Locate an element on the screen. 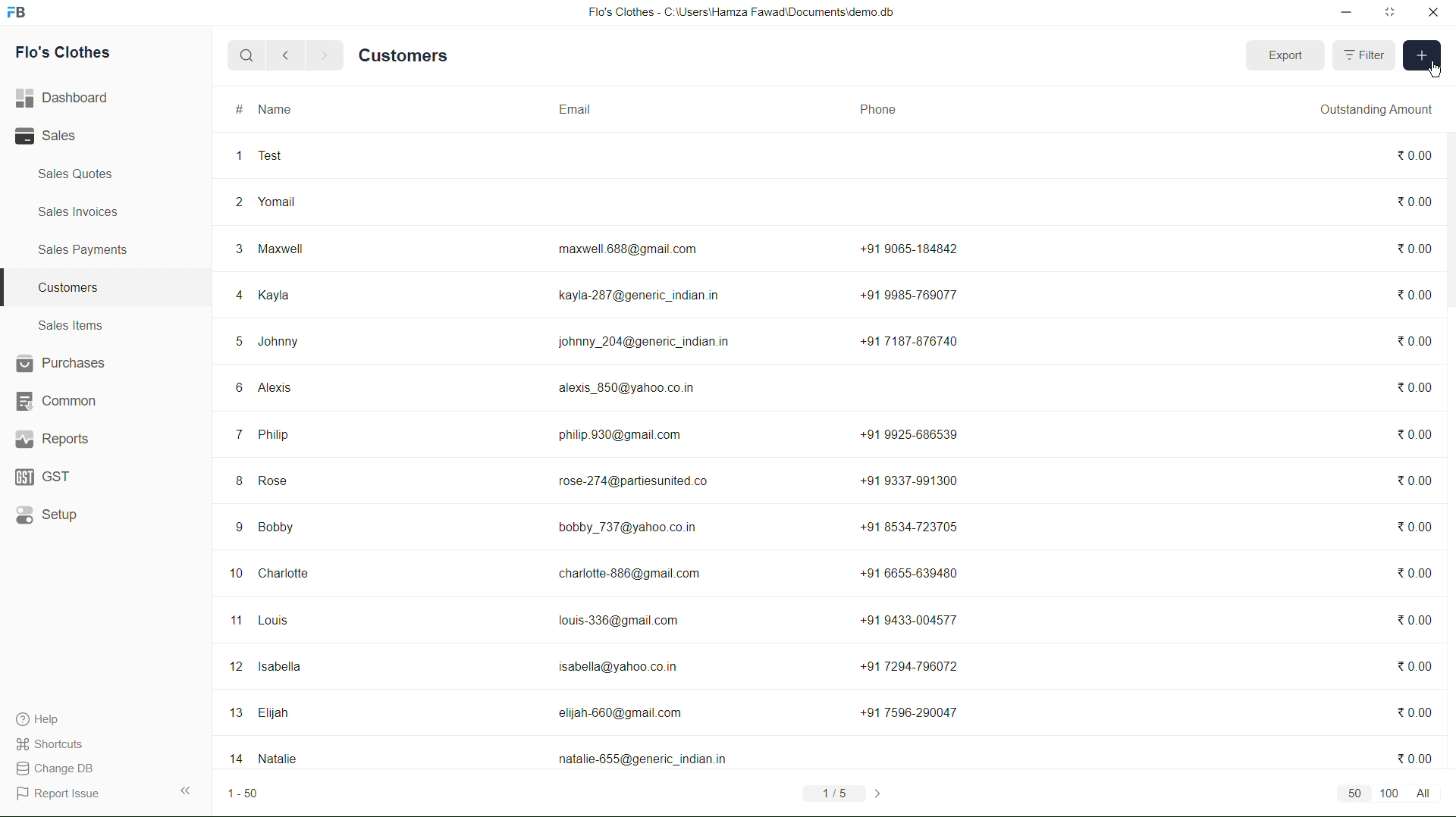  Elijah is located at coordinates (276, 712).